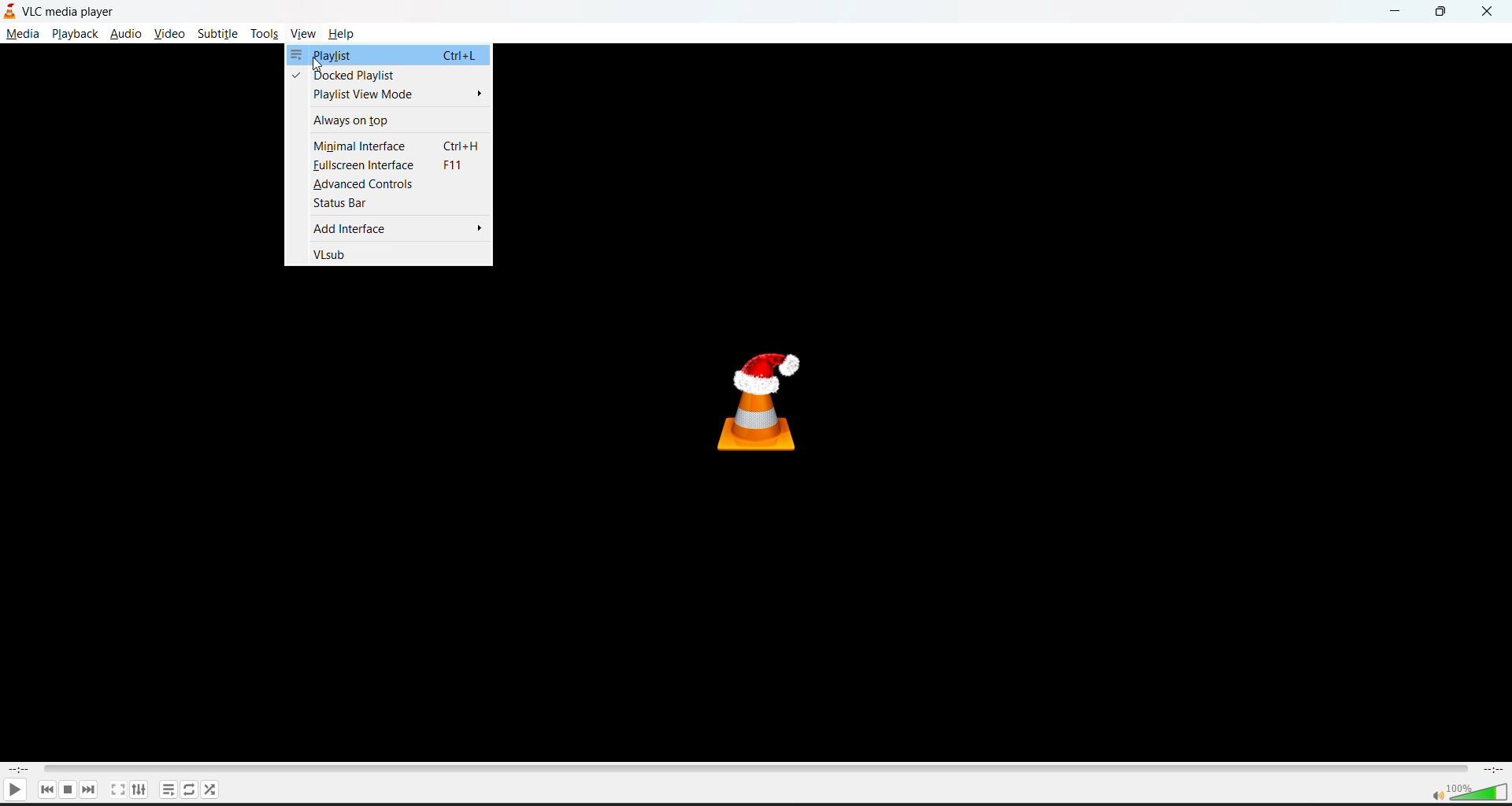 Image resolution: width=1512 pixels, height=806 pixels. Describe the element at coordinates (118, 790) in the screenshot. I see `toggle fullscreen` at that location.